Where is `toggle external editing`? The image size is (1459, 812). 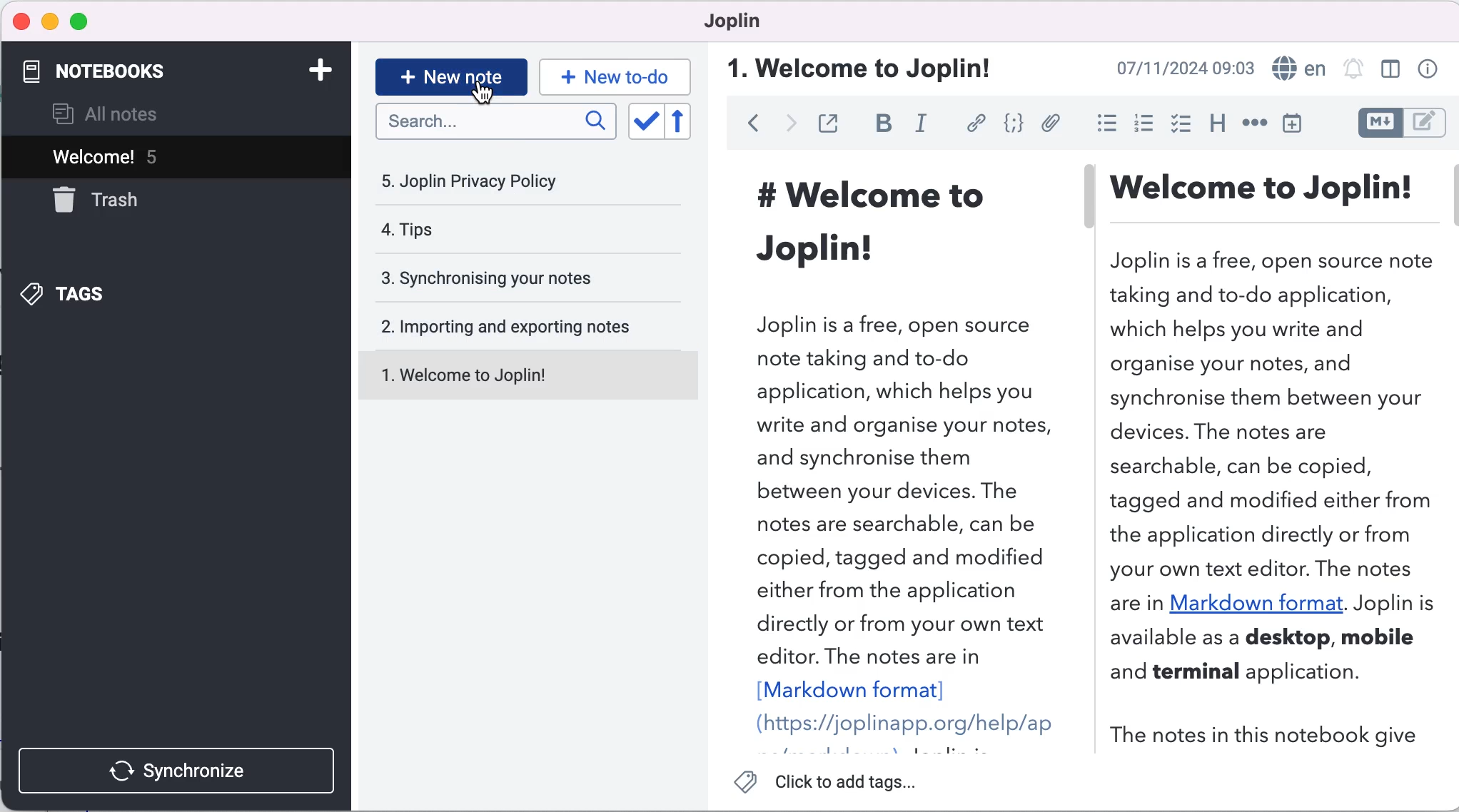 toggle external editing is located at coordinates (828, 125).